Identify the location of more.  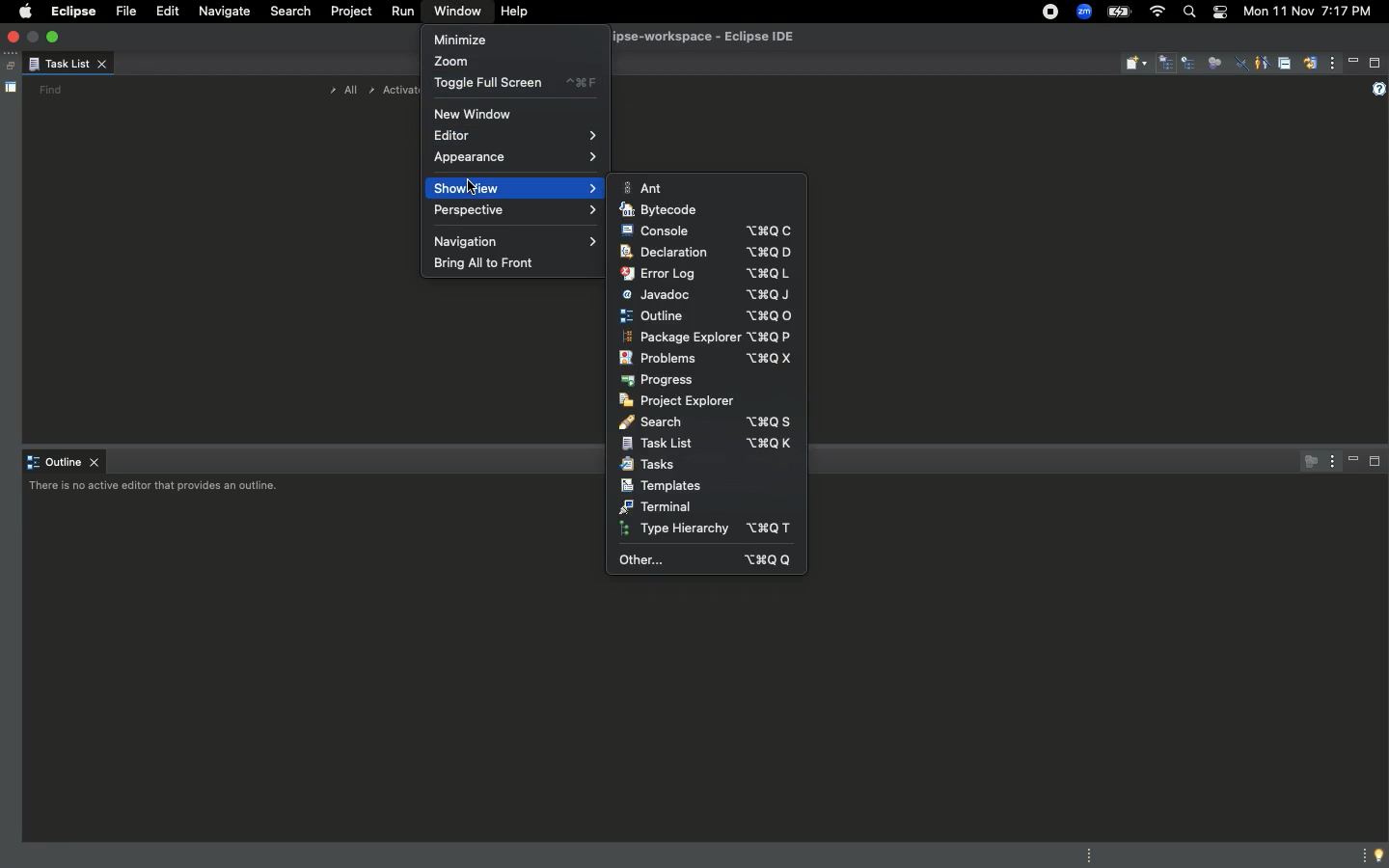
(1360, 854).